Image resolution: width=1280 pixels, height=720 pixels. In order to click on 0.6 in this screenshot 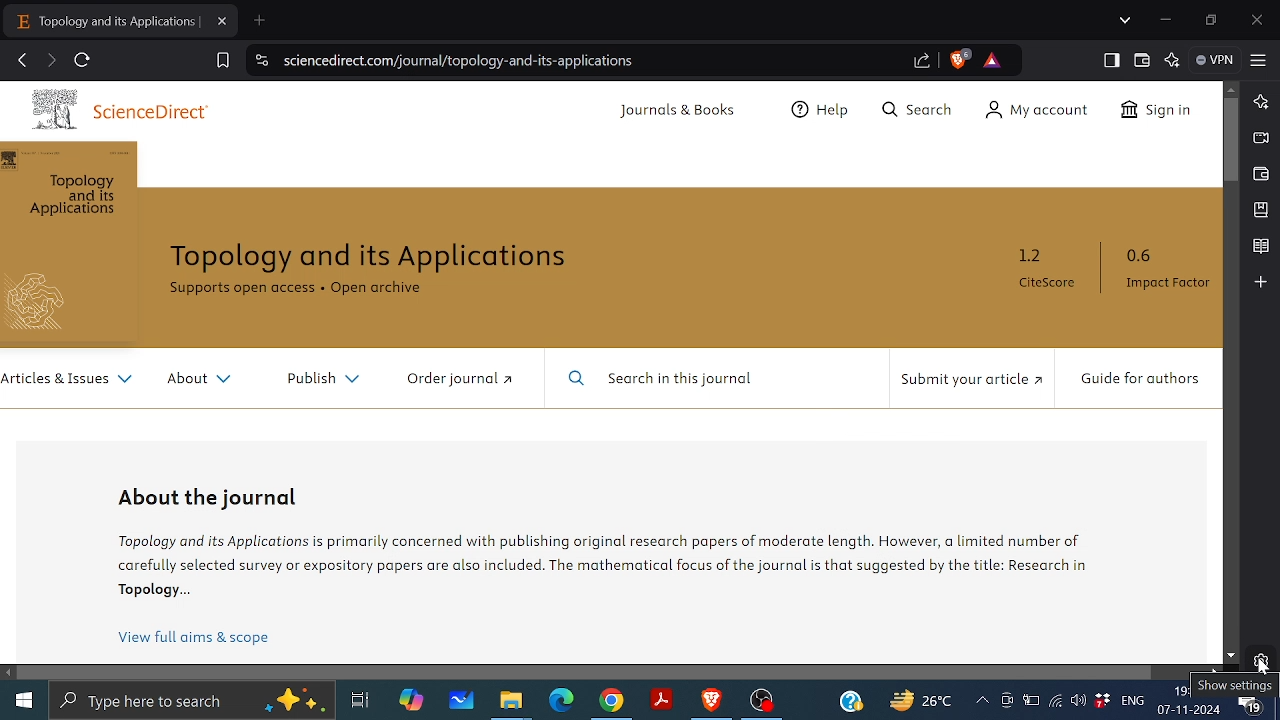, I will do `click(1143, 251)`.